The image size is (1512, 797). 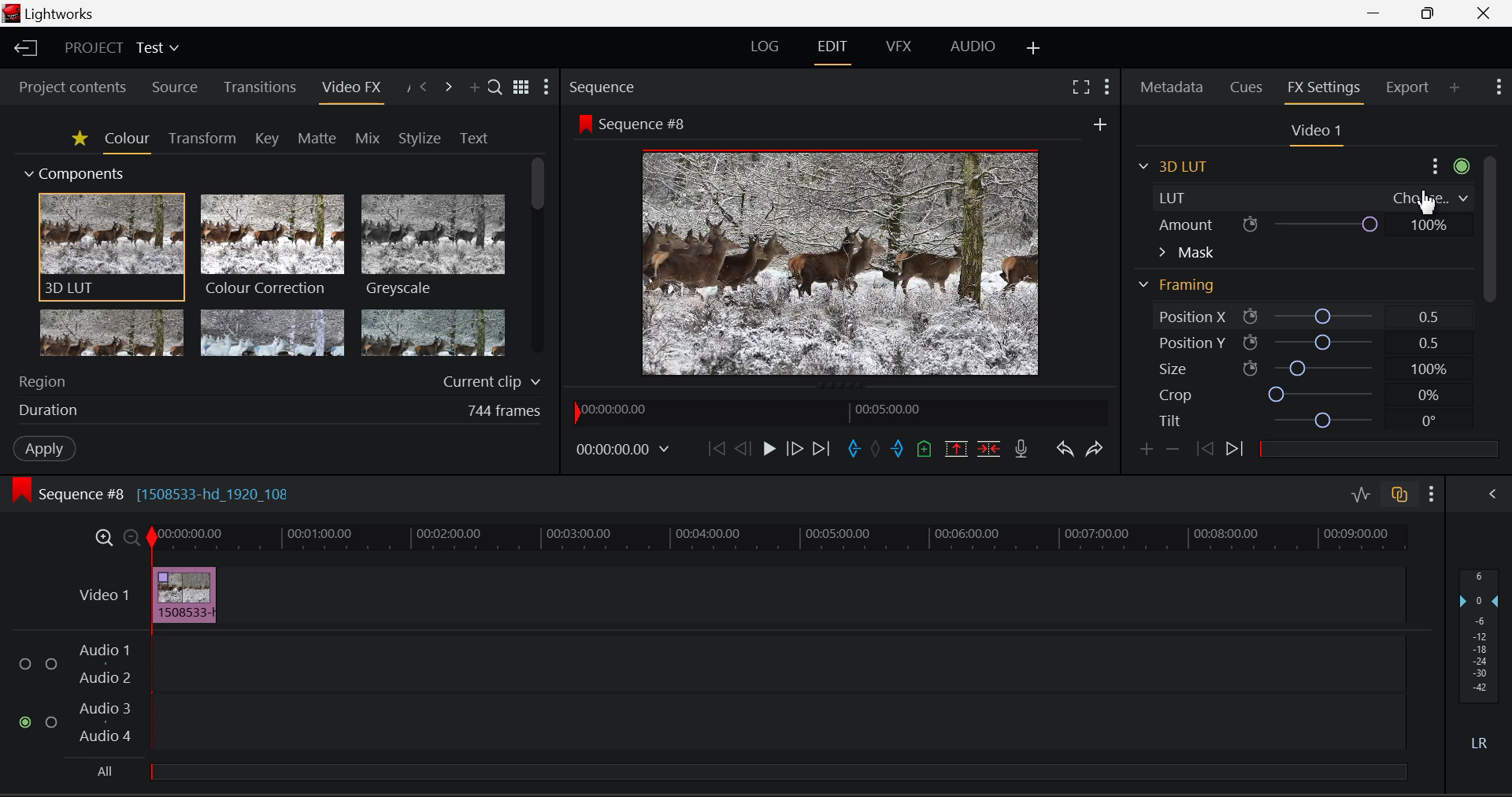 What do you see at coordinates (715, 451) in the screenshot?
I see `To Start` at bounding box center [715, 451].